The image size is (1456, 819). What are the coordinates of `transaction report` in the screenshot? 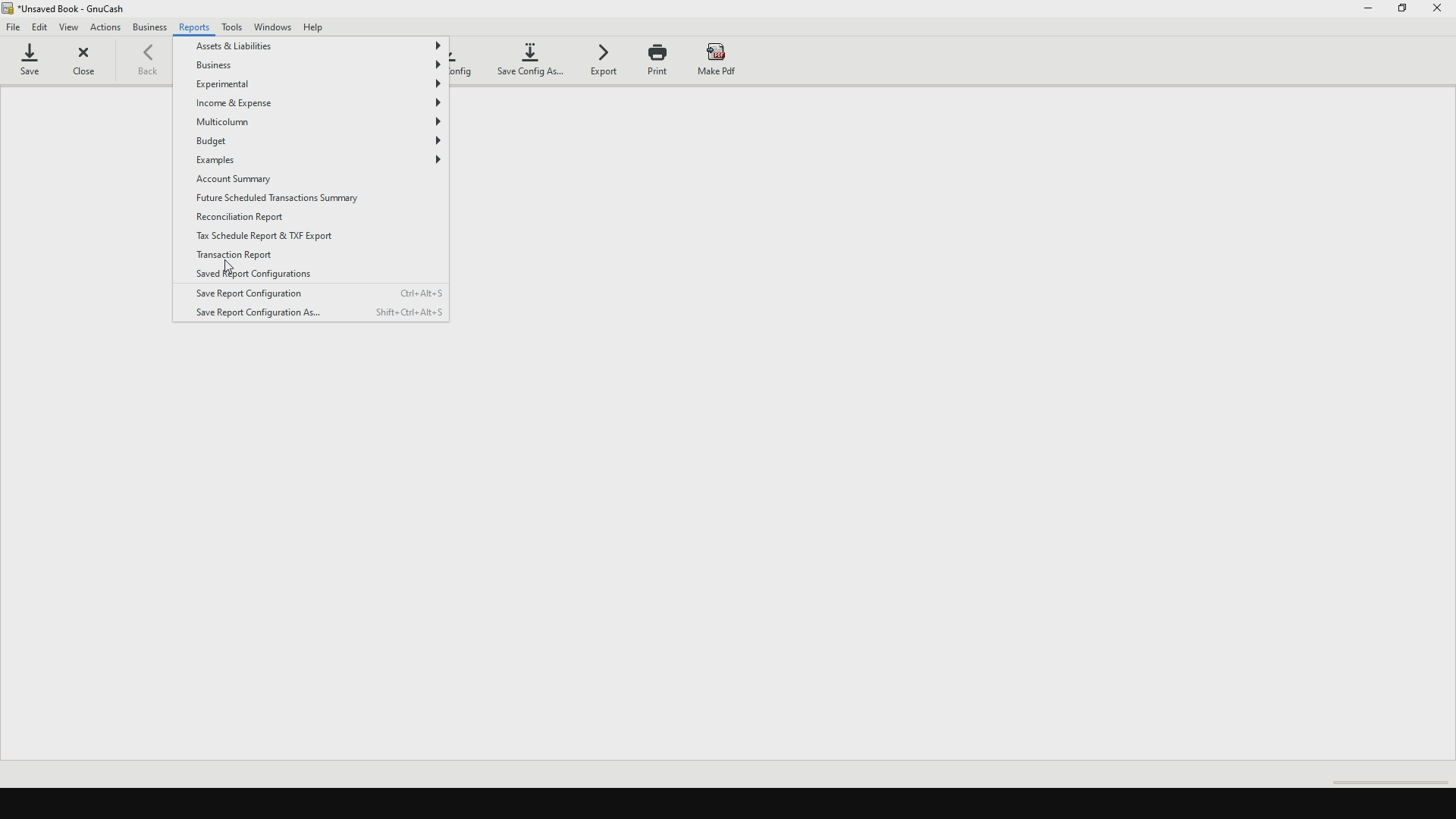 It's located at (234, 257).